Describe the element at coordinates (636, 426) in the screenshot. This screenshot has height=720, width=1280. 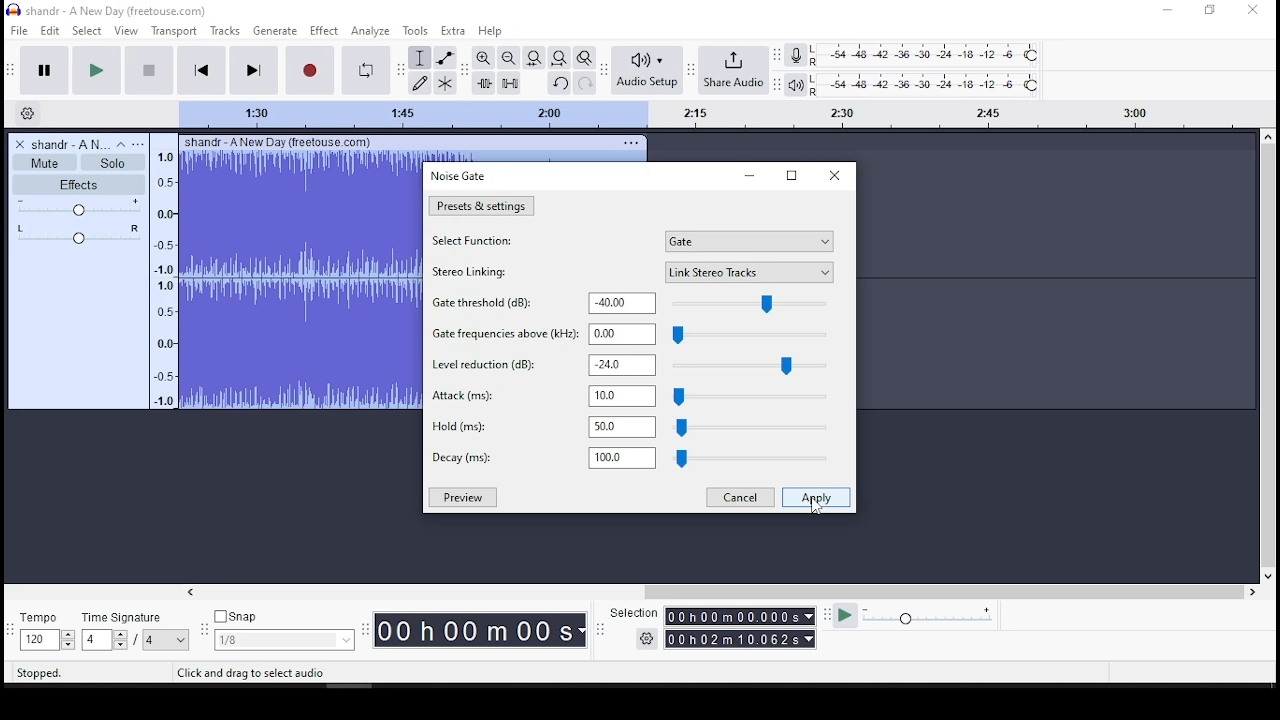
I see `hold` at that location.